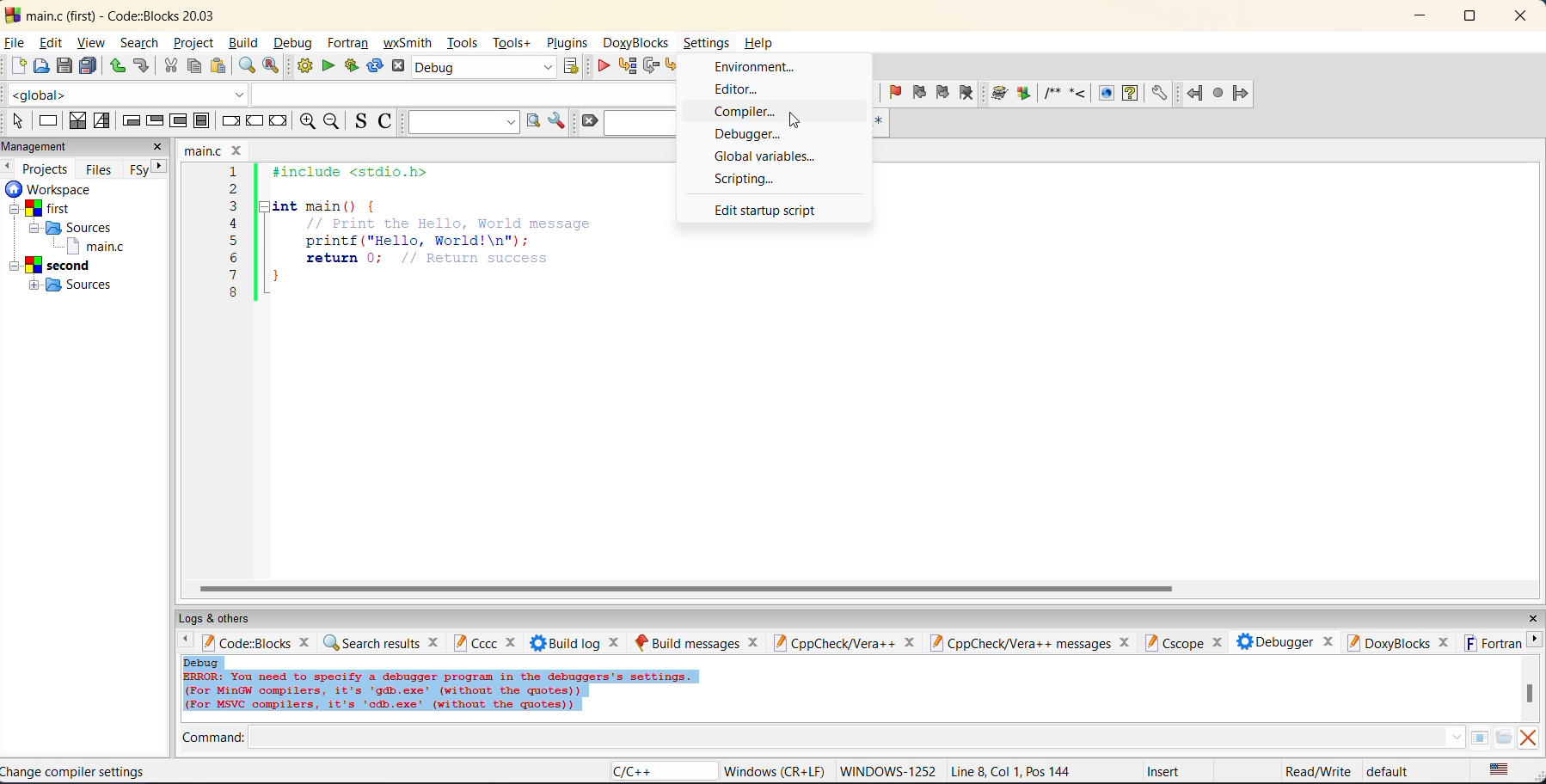 The width and height of the screenshot is (1546, 784). What do you see at coordinates (649, 66) in the screenshot?
I see `next line` at bounding box center [649, 66].